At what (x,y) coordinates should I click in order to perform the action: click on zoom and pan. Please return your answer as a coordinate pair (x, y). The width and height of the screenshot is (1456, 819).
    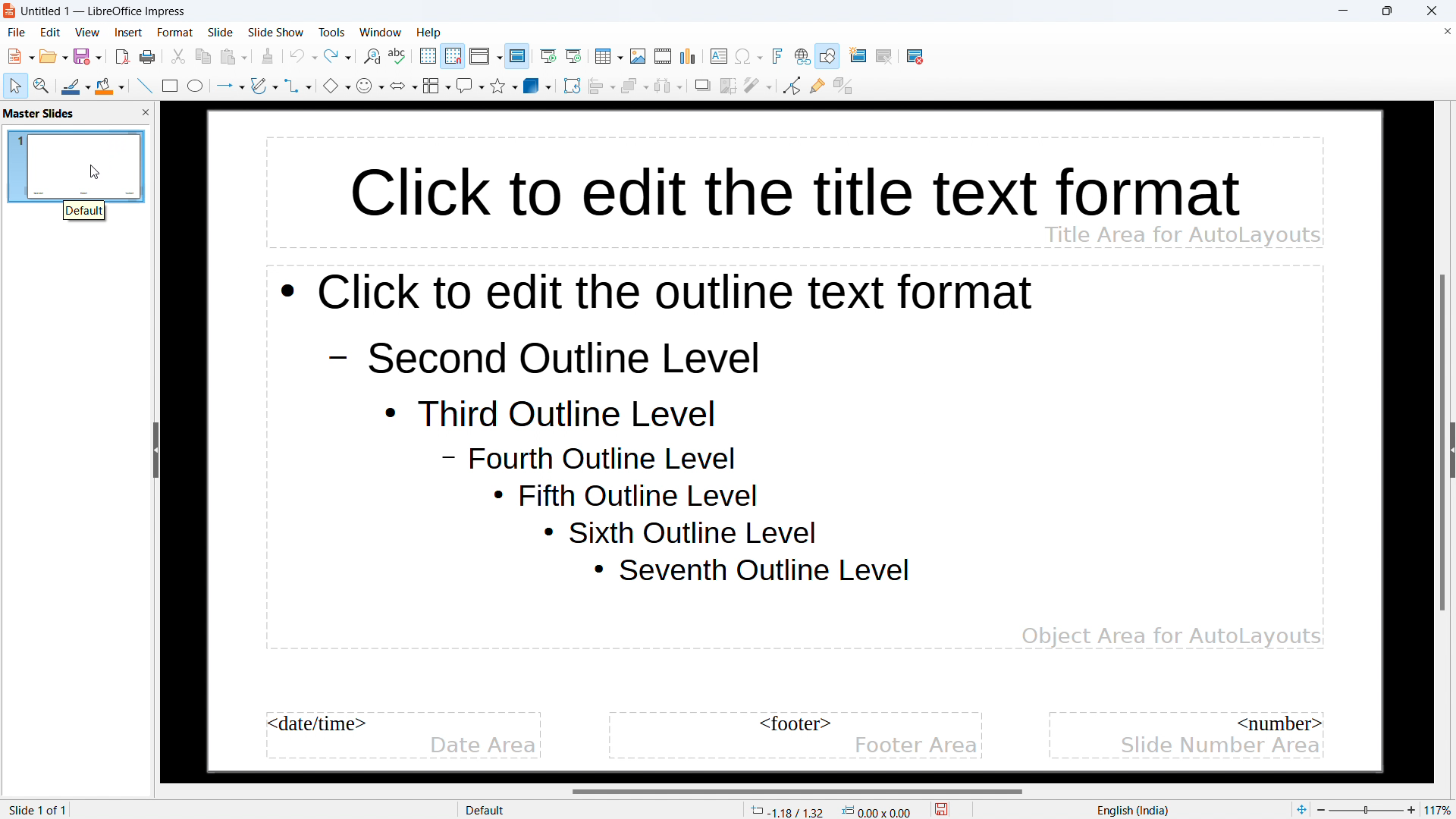
    Looking at the image, I should click on (42, 85).